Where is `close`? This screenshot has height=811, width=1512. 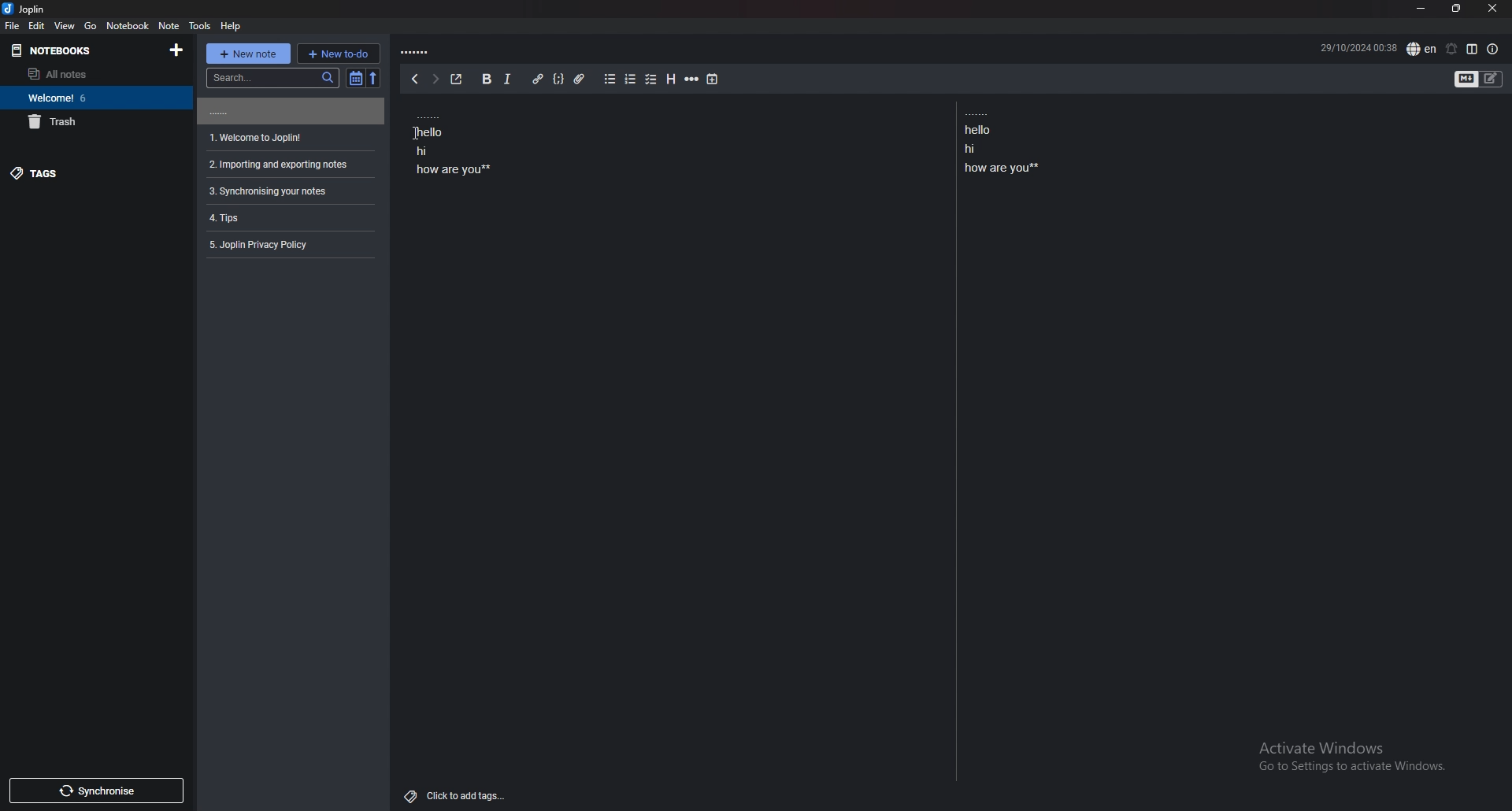 close is located at coordinates (1493, 8).